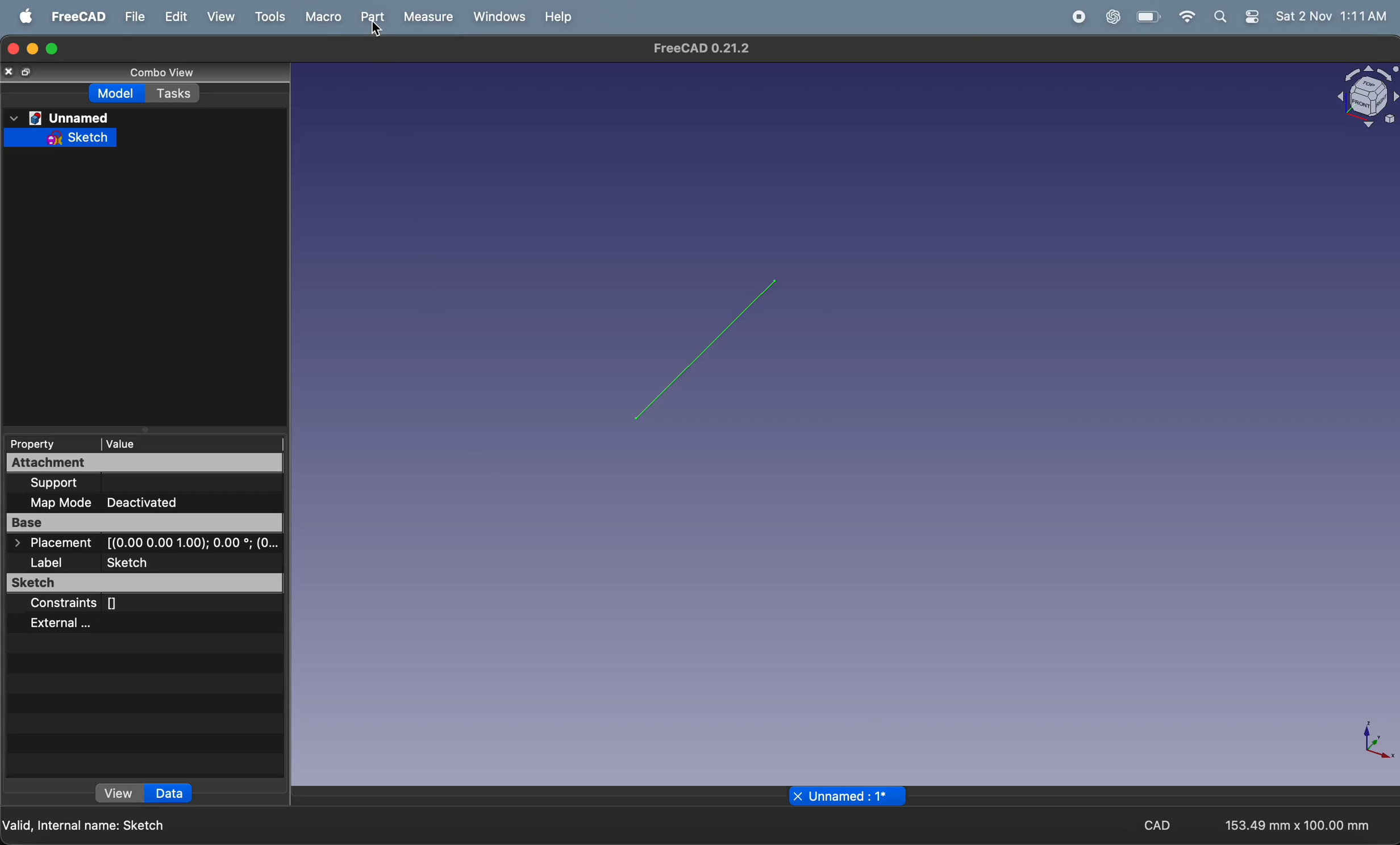  I want to click on settings, so click(1252, 17).